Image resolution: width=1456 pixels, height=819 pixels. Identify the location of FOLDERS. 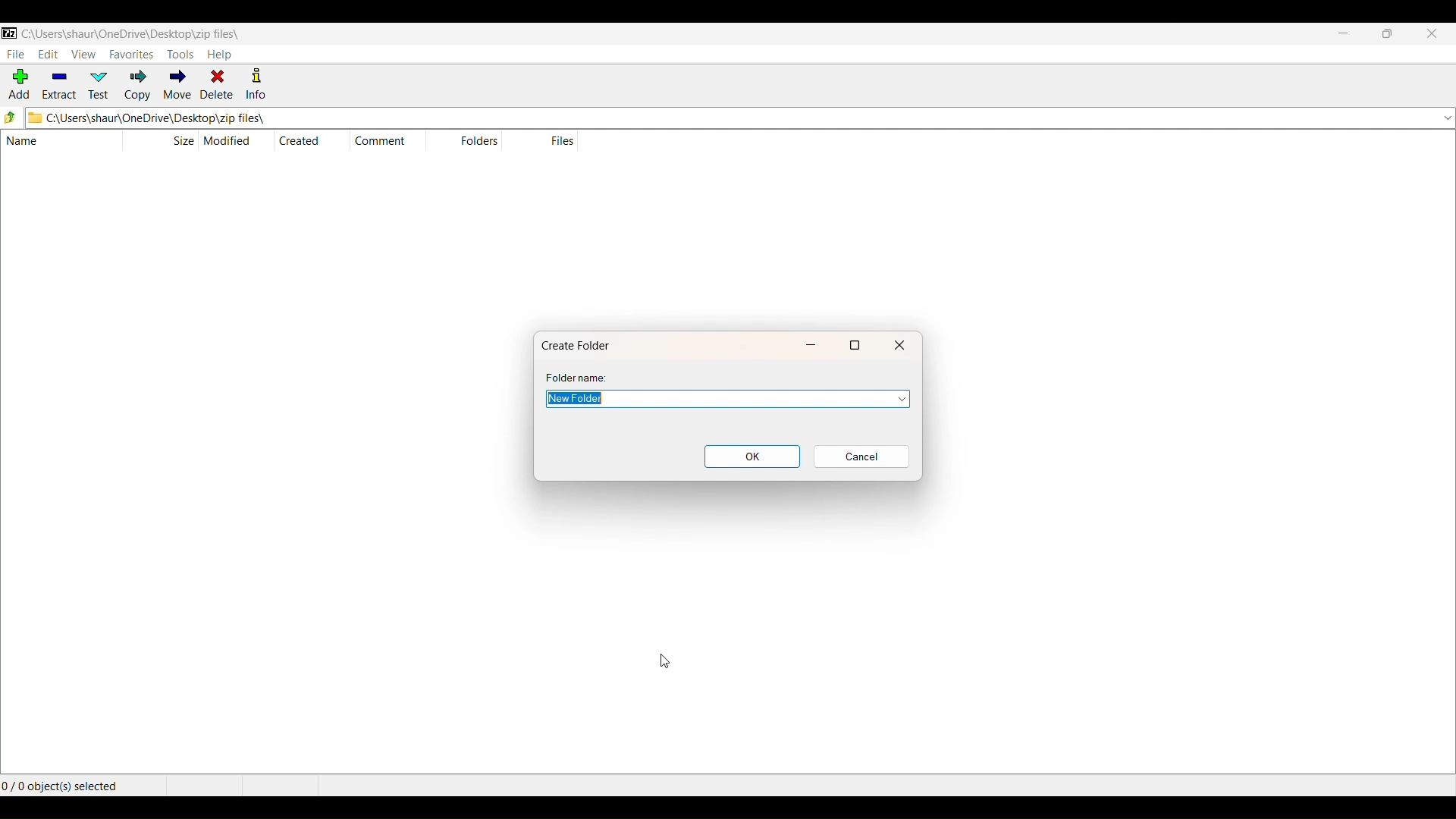
(476, 142).